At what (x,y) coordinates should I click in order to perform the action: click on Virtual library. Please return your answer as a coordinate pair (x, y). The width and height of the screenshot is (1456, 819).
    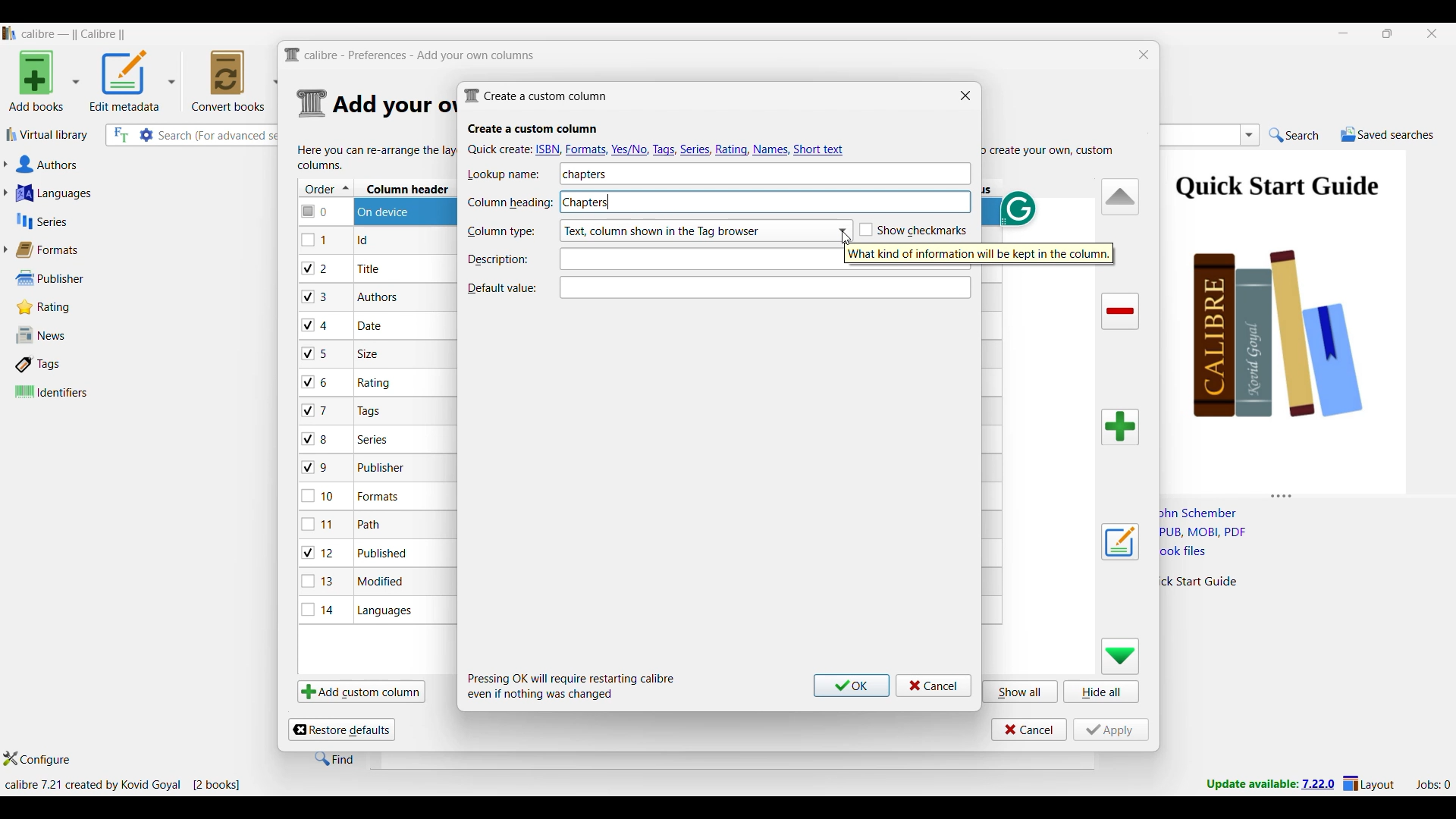
    Looking at the image, I should click on (48, 134).